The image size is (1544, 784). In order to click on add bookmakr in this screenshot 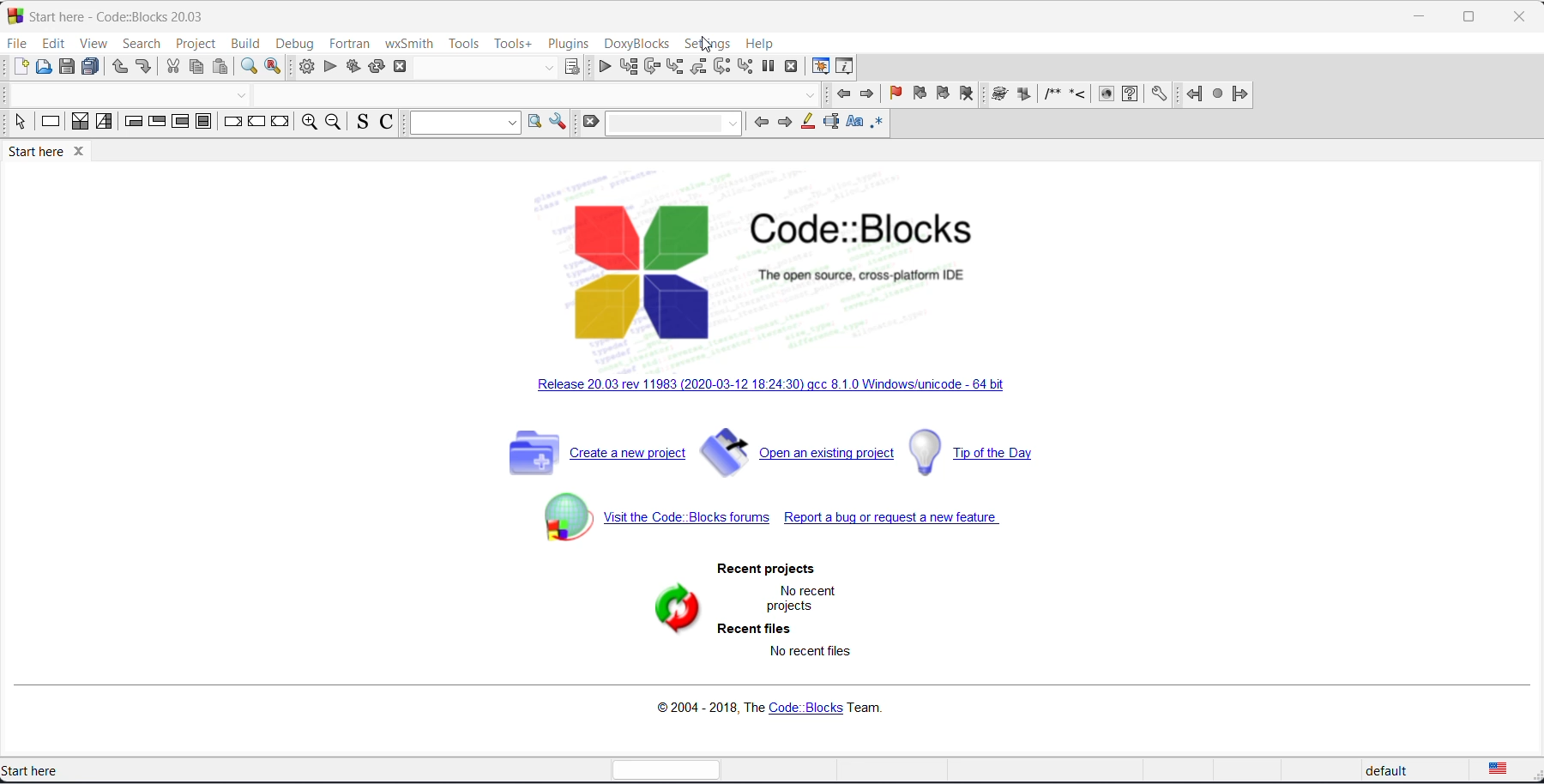, I will do `click(896, 93)`.